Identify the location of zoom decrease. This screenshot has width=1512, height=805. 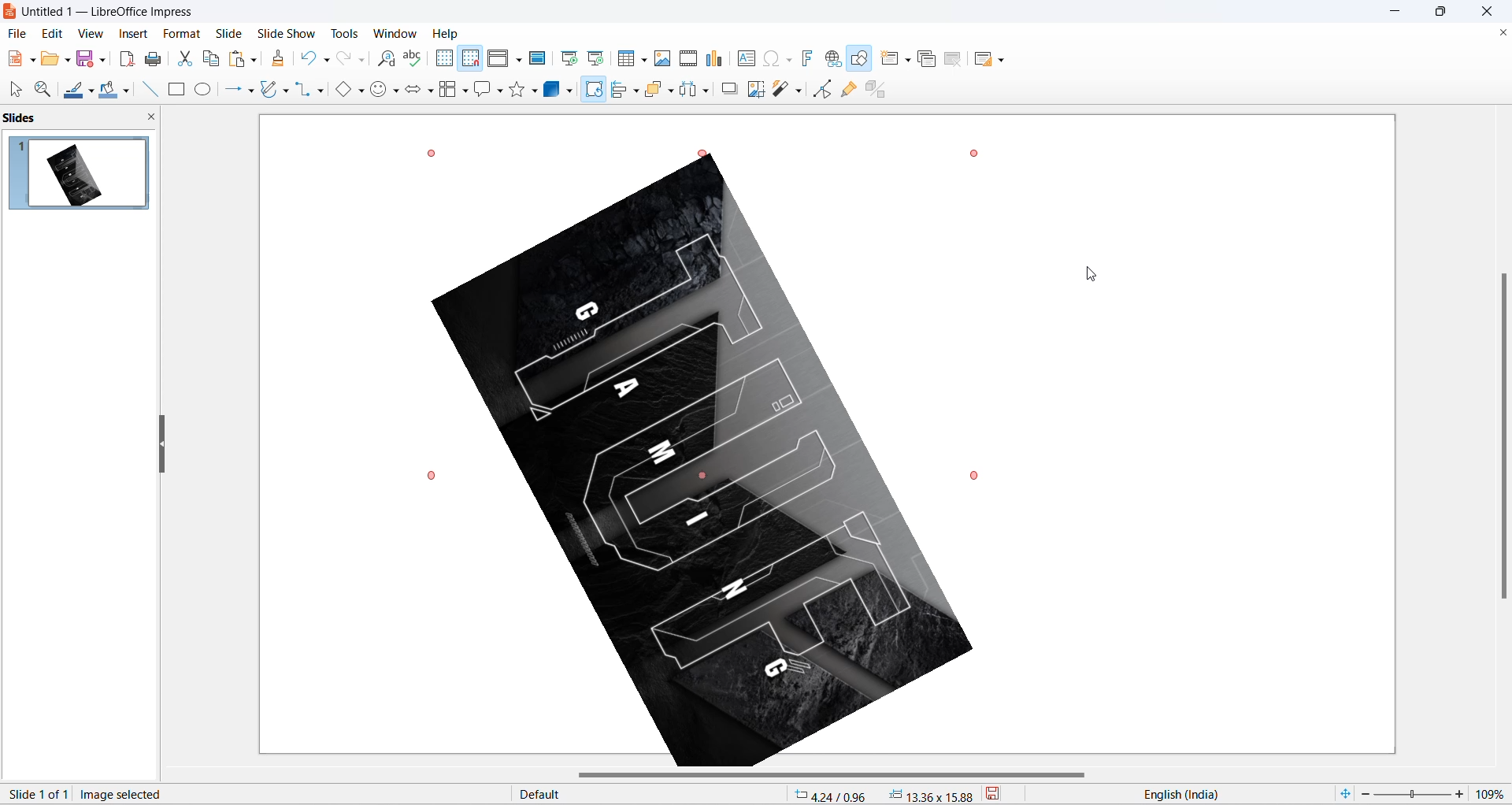
(1363, 796).